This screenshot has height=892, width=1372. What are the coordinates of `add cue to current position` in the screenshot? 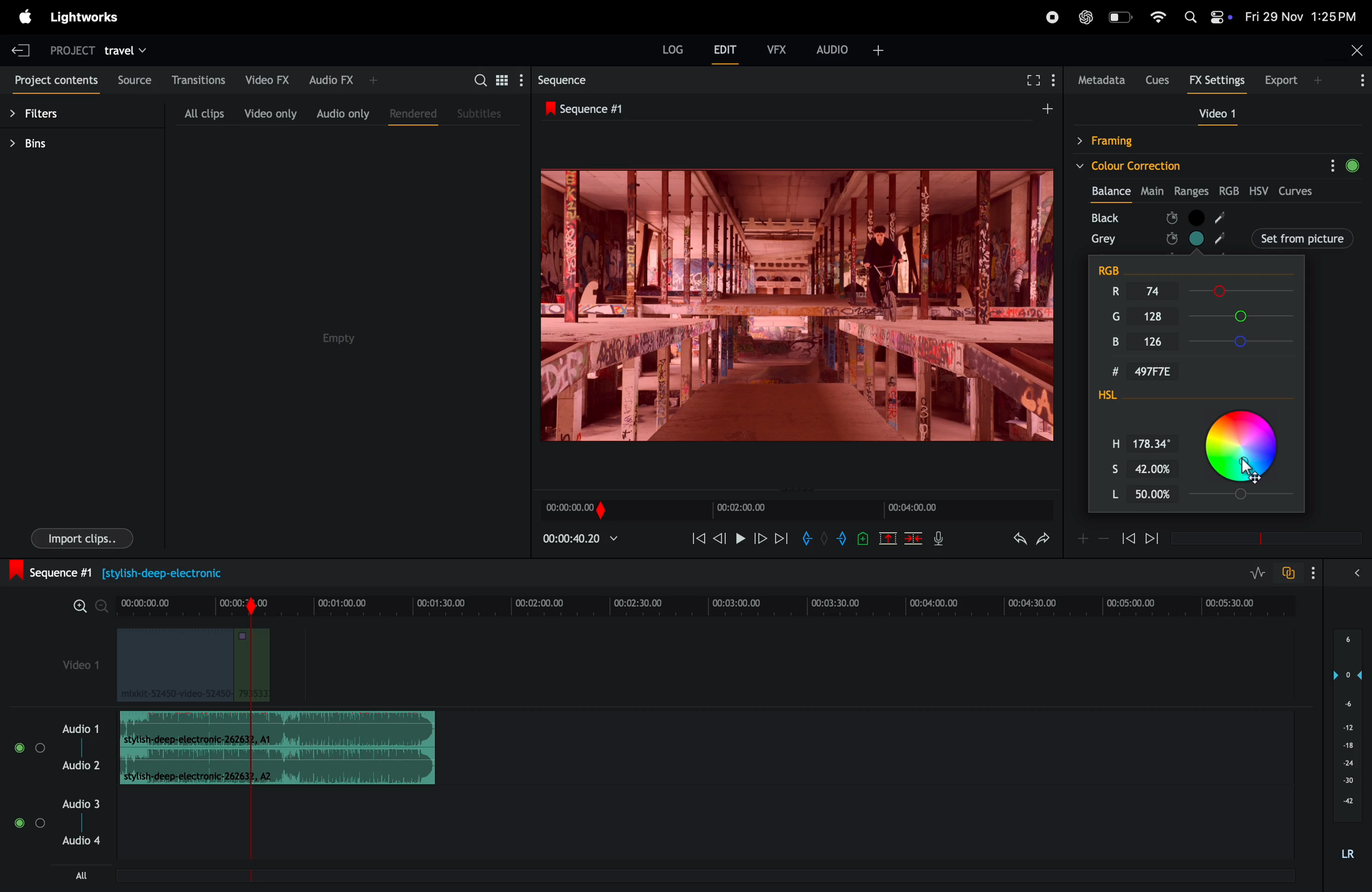 It's located at (862, 540).